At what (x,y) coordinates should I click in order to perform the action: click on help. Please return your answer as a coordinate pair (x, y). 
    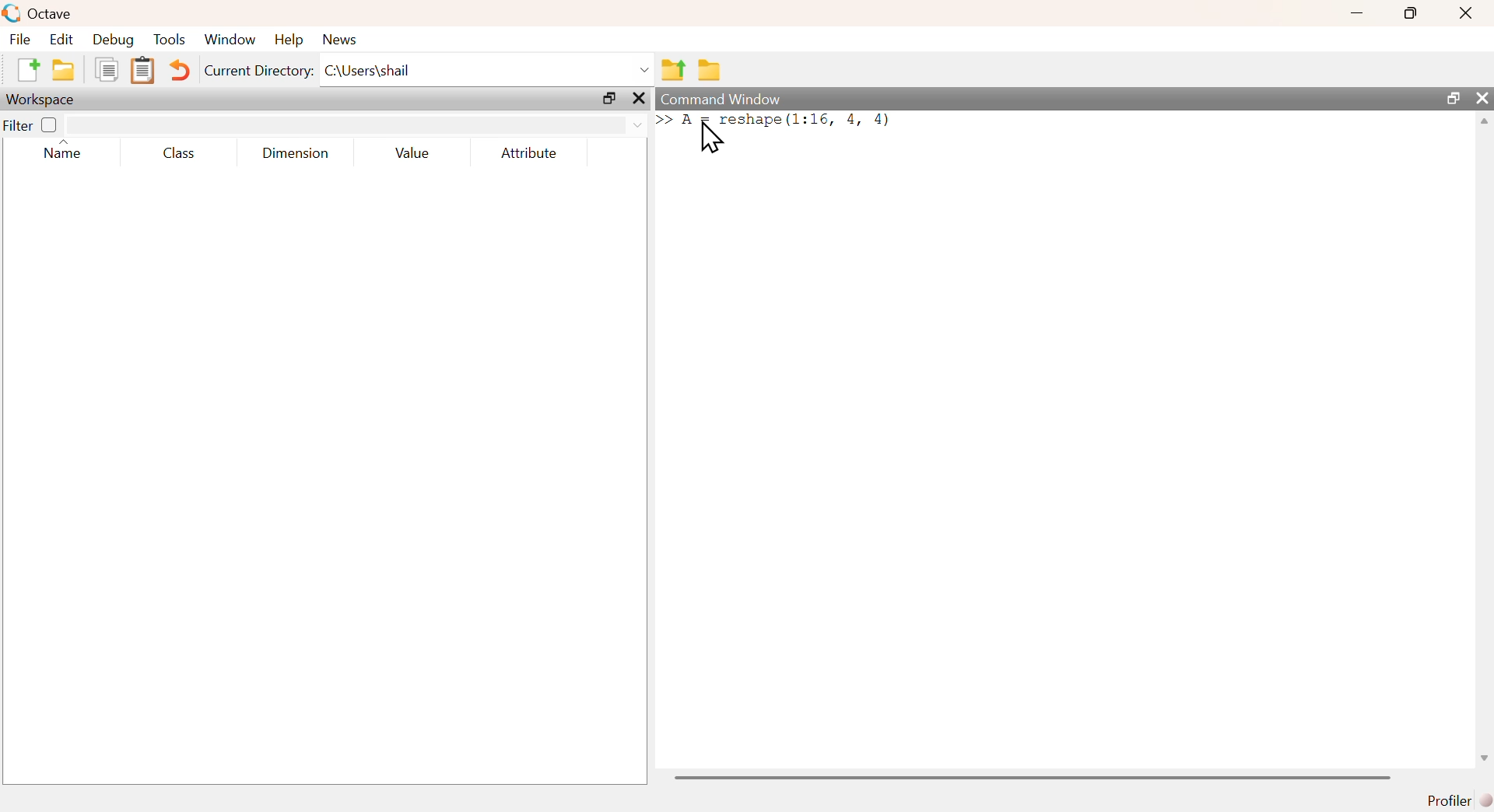
    Looking at the image, I should click on (291, 41).